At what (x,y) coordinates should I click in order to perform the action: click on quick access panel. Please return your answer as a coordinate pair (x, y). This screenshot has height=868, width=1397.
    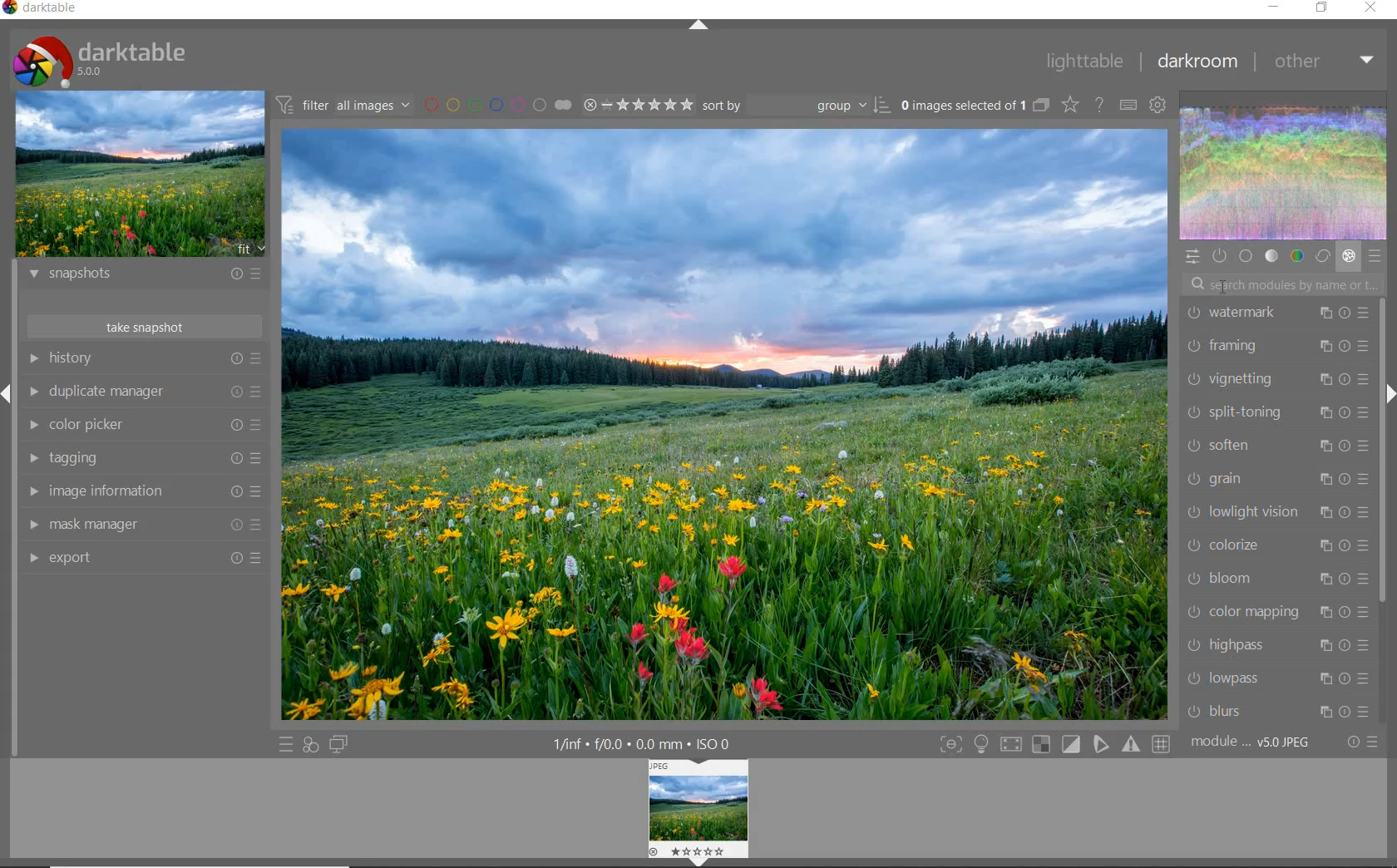
    Looking at the image, I should click on (1191, 257).